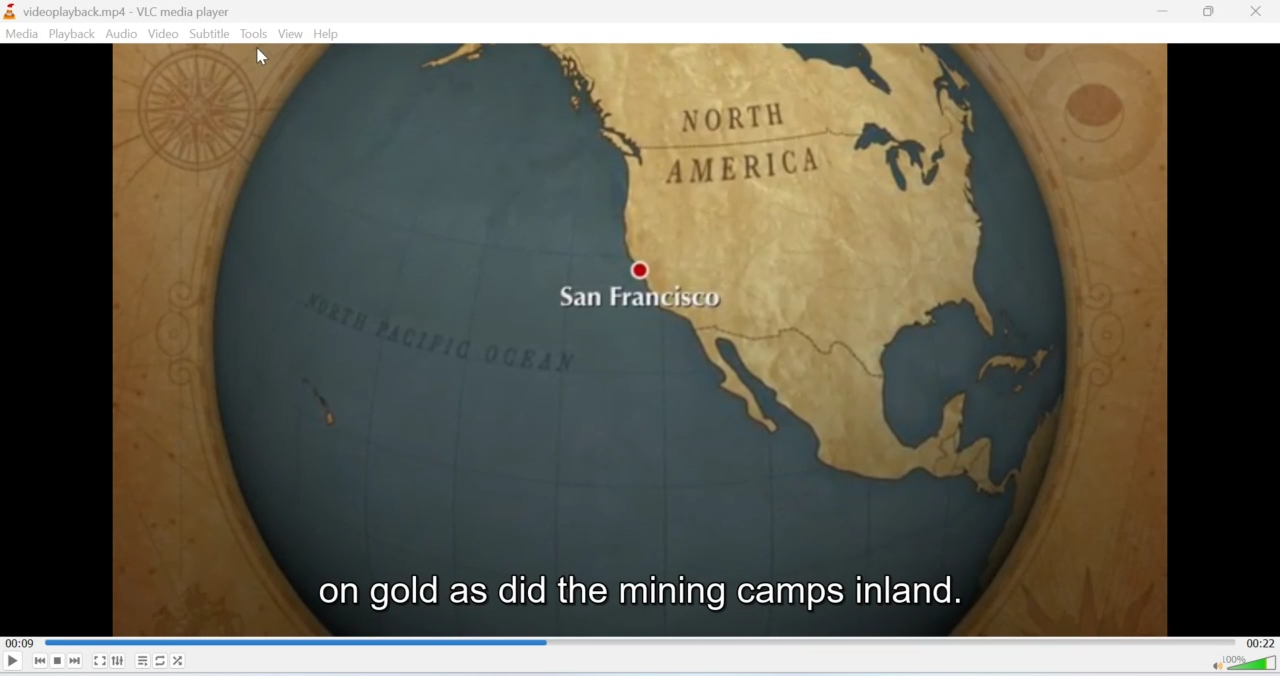  I want to click on video playback, so click(639, 353).